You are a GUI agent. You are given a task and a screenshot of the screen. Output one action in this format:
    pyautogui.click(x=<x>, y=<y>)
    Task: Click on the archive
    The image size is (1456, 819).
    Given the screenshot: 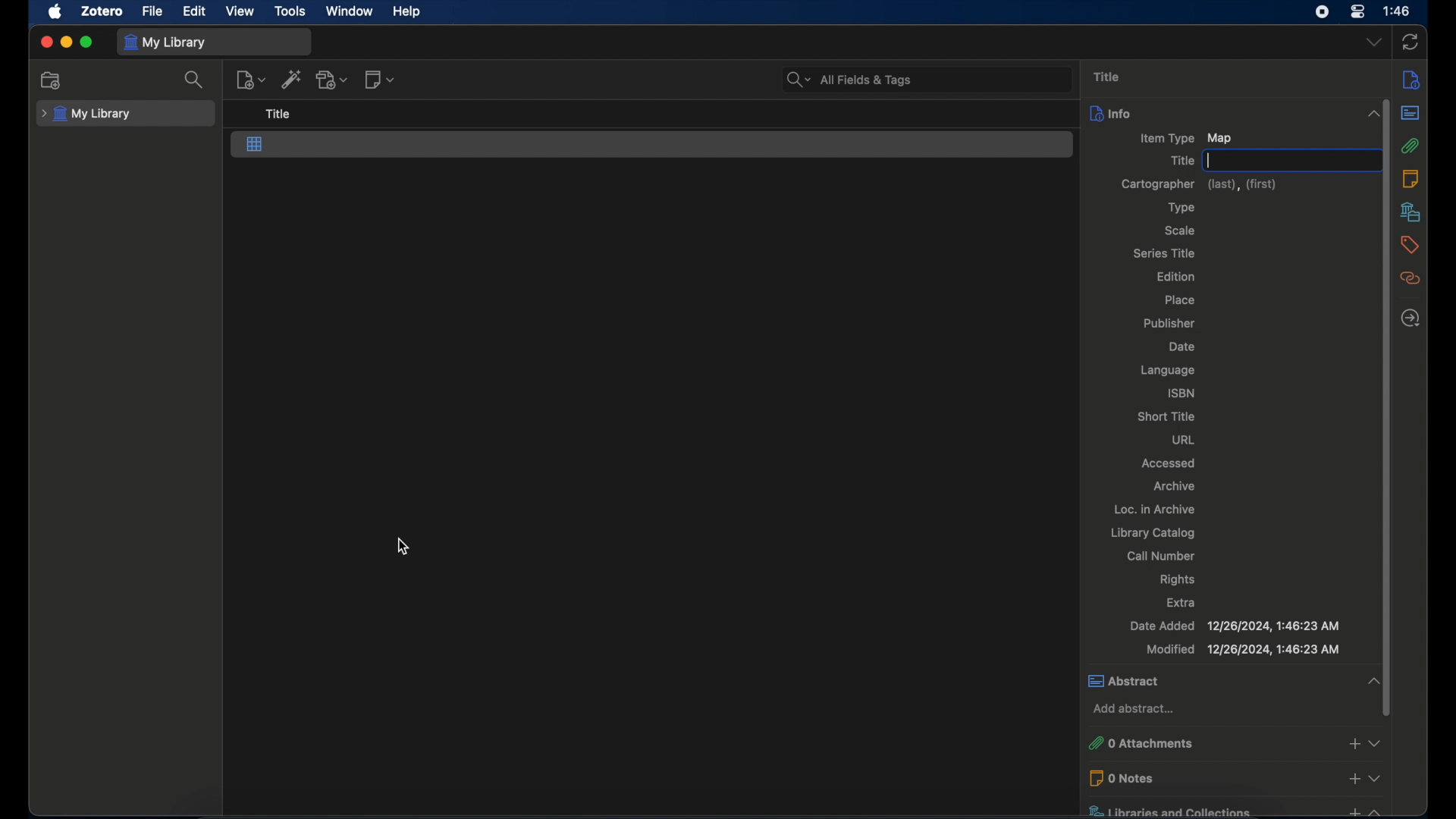 What is the action you would take?
    pyautogui.click(x=1175, y=485)
    